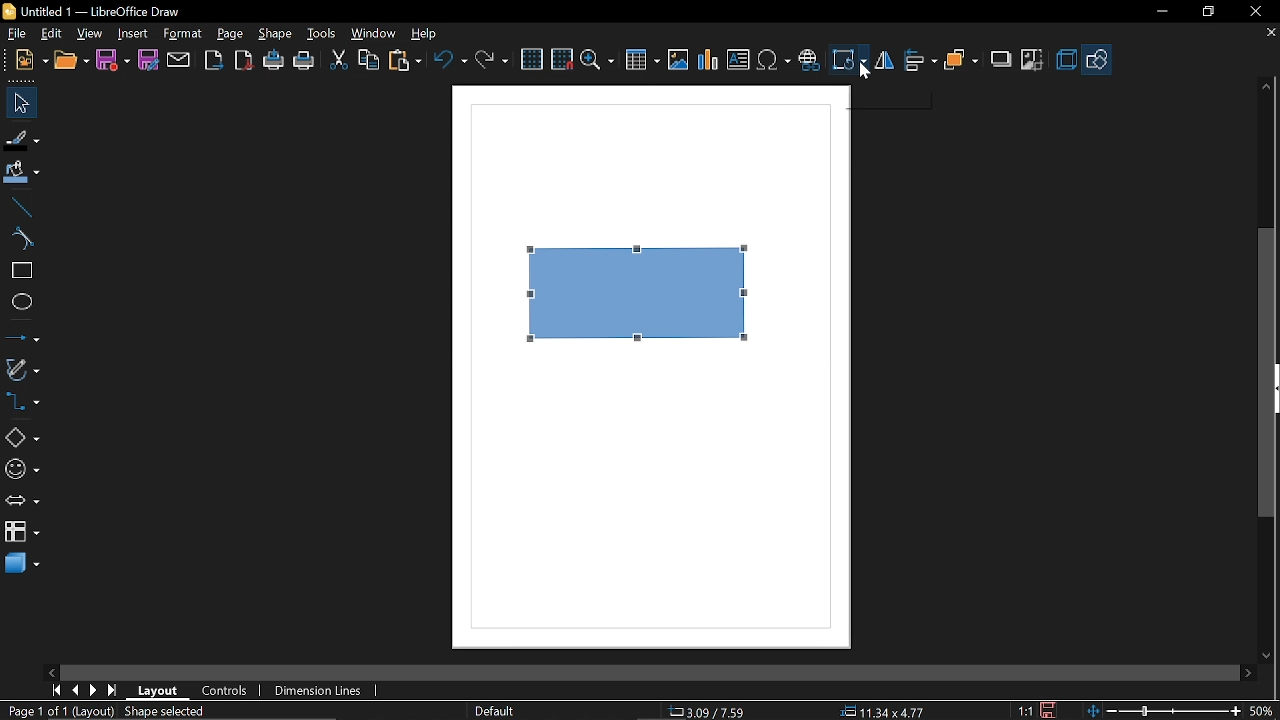  What do you see at coordinates (75, 690) in the screenshot?
I see `previous page` at bounding box center [75, 690].